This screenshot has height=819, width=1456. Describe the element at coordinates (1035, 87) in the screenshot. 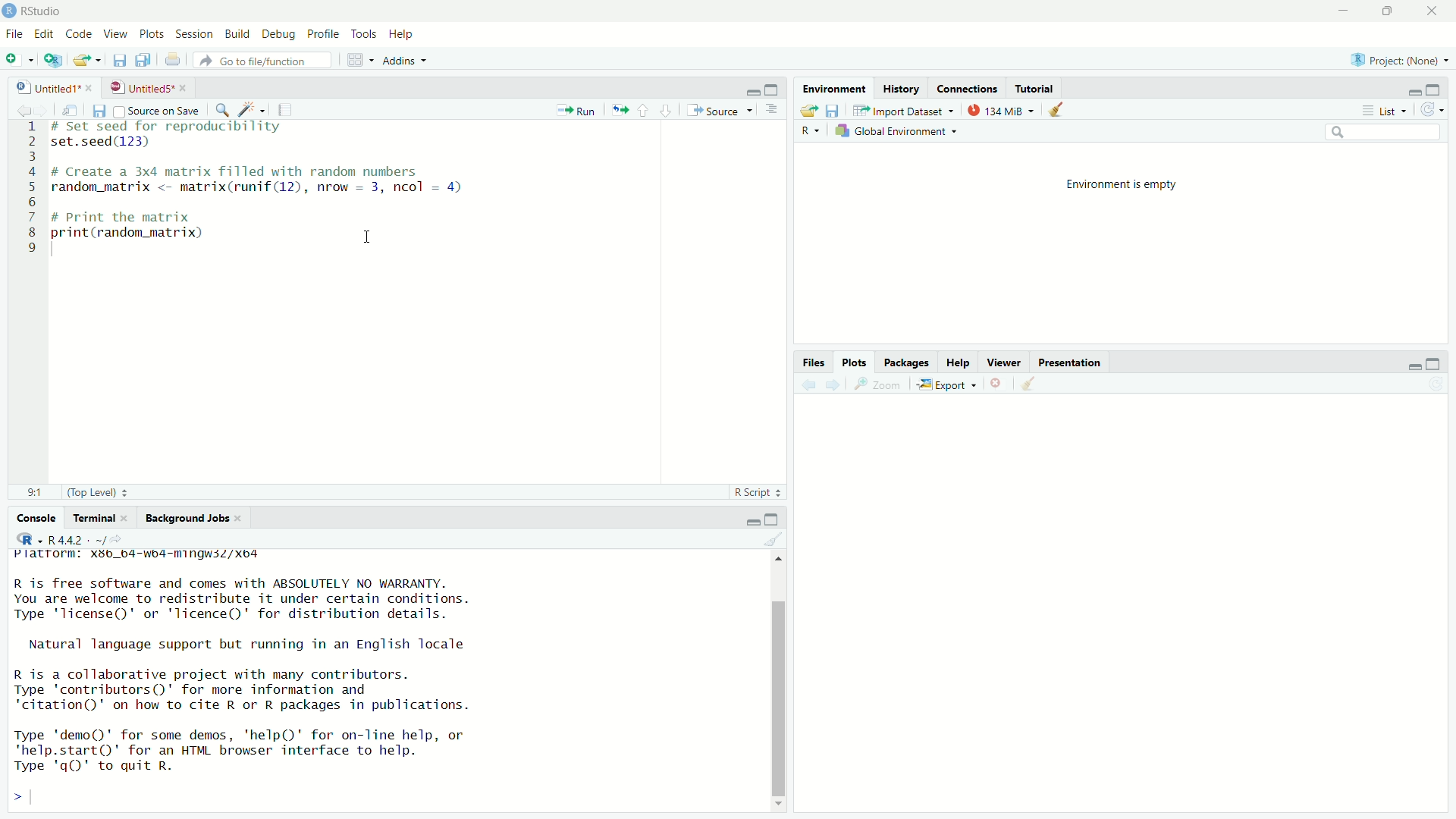

I see `Tutorial` at that location.